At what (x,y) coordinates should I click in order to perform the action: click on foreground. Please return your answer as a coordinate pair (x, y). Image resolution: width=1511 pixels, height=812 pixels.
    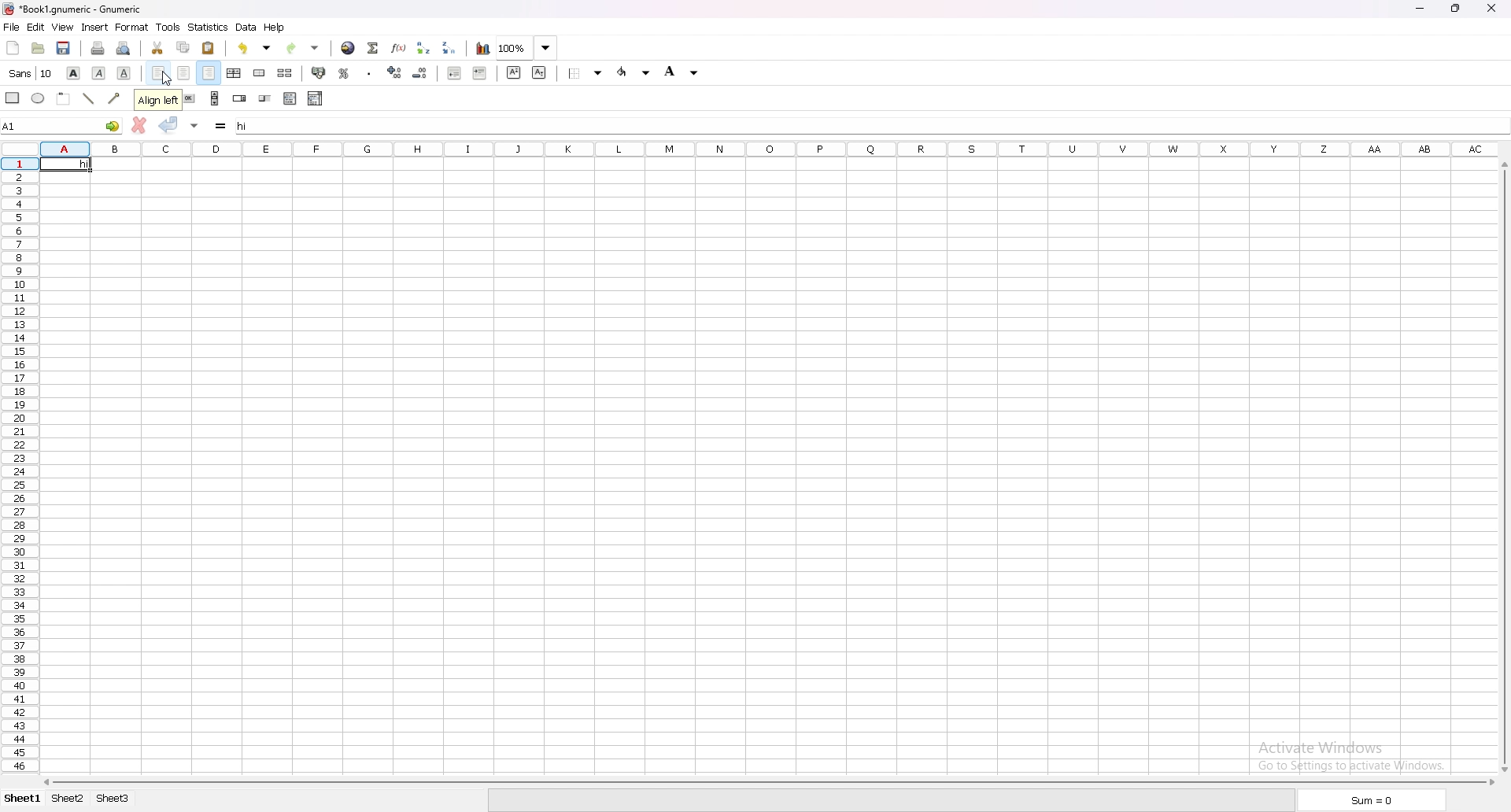
    Looking at the image, I should click on (634, 72).